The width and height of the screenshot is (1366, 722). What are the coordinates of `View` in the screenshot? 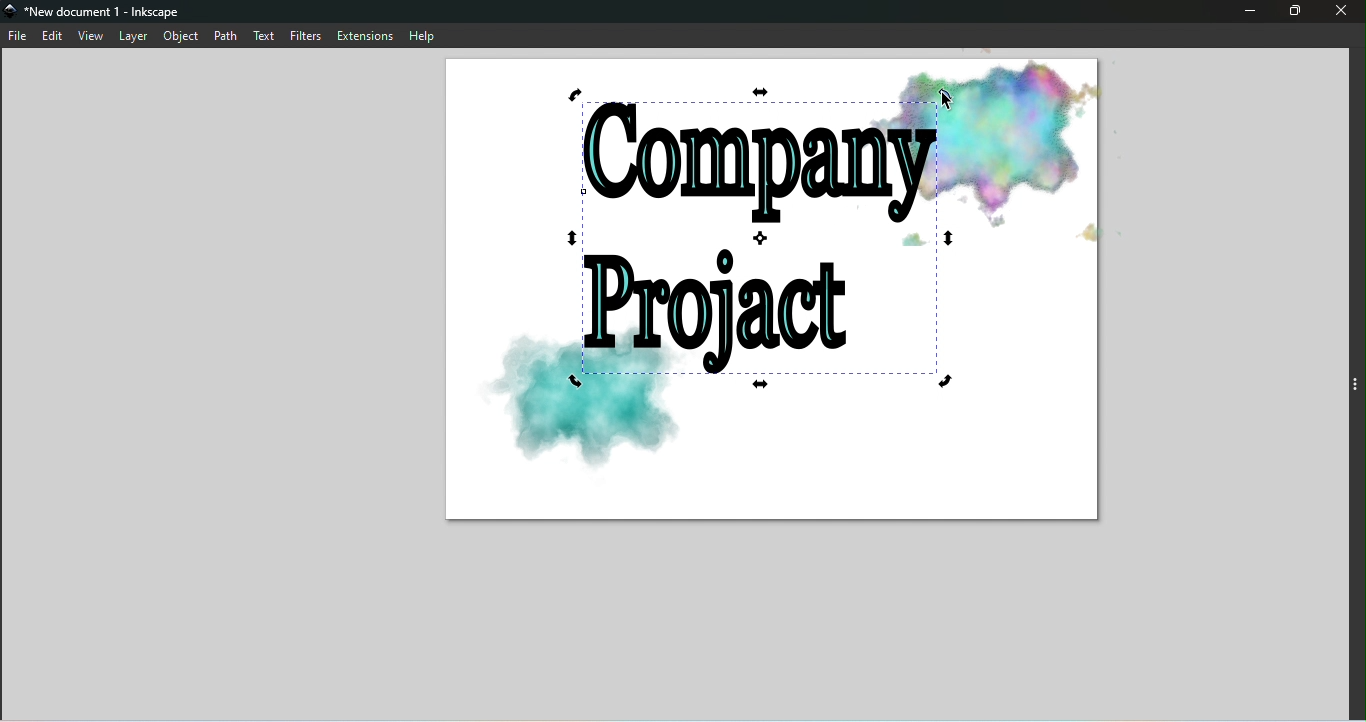 It's located at (91, 35).